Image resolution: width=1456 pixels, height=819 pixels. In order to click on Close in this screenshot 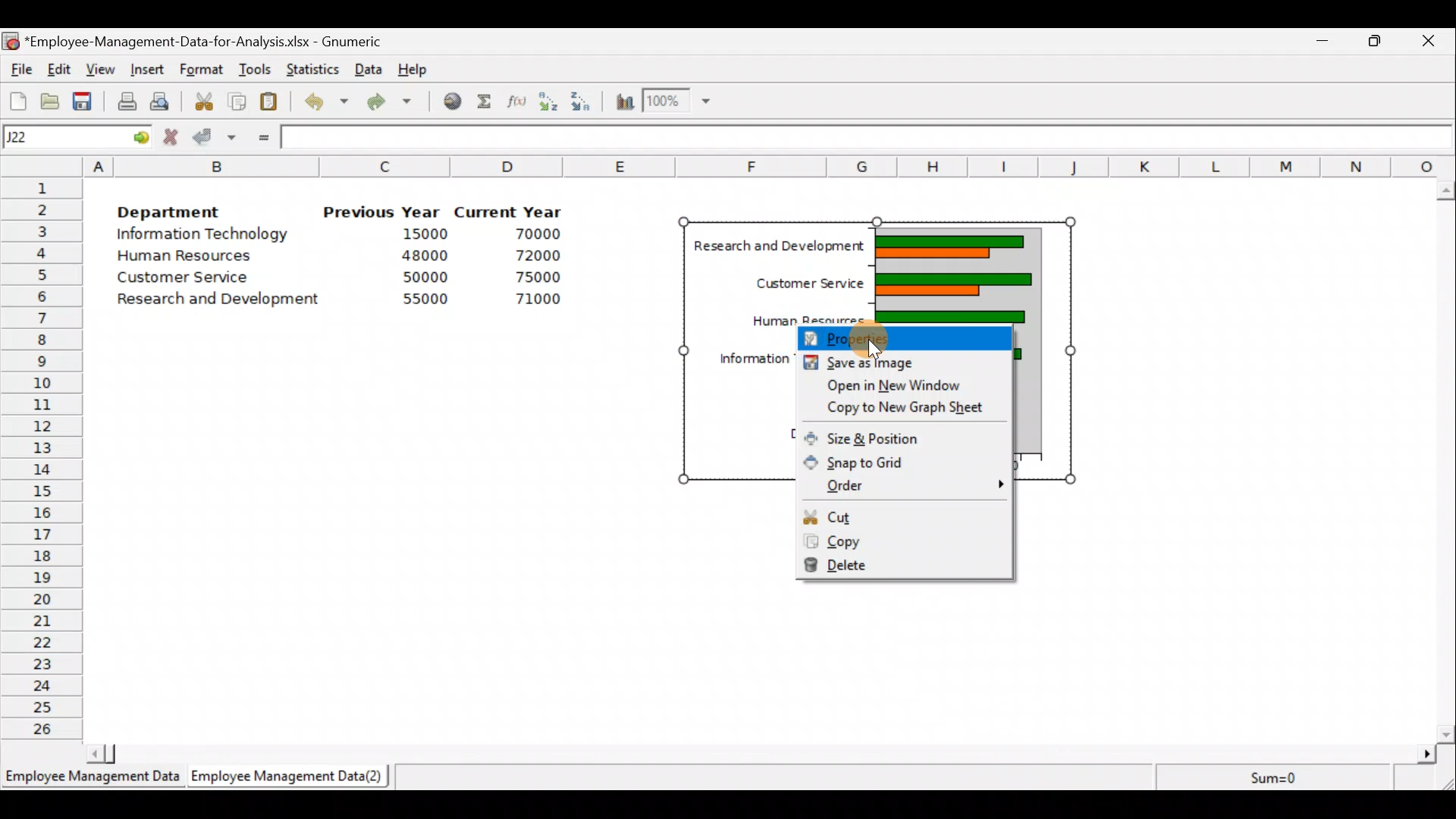, I will do `click(1432, 40)`.